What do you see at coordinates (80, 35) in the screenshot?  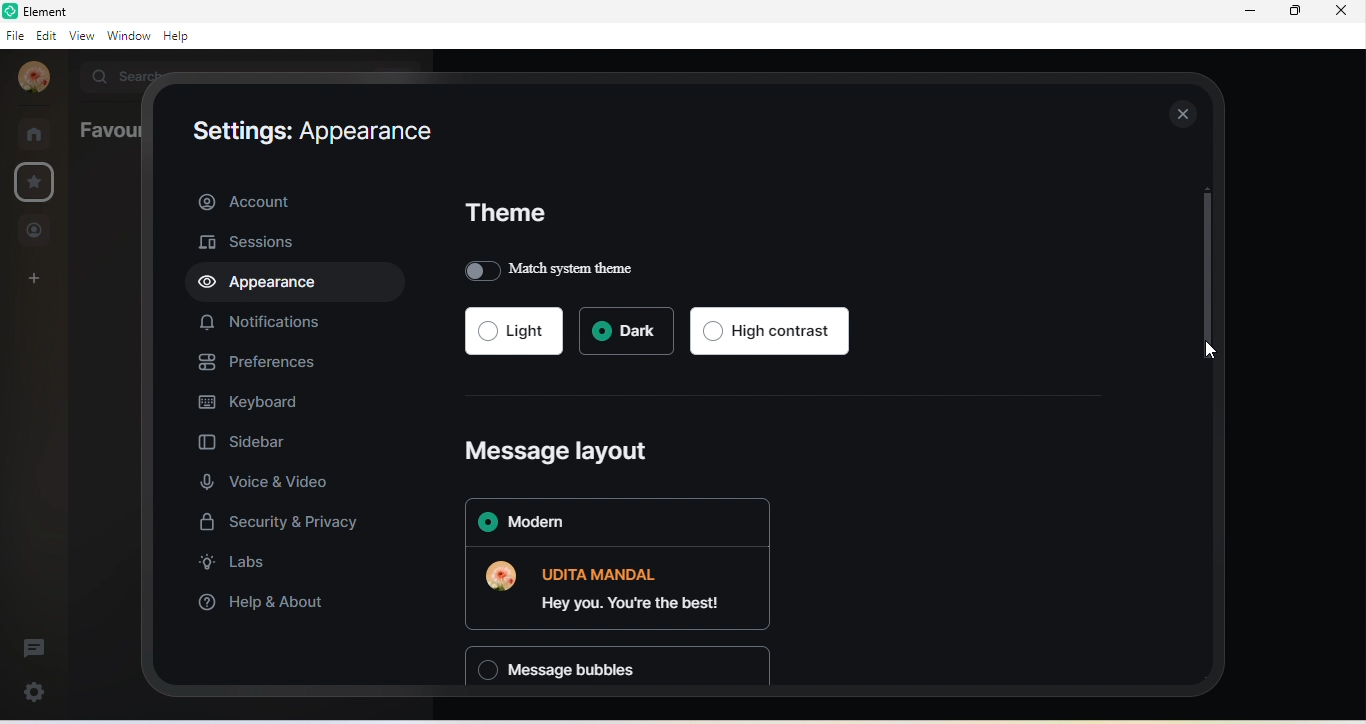 I see `view` at bounding box center [80, 35].